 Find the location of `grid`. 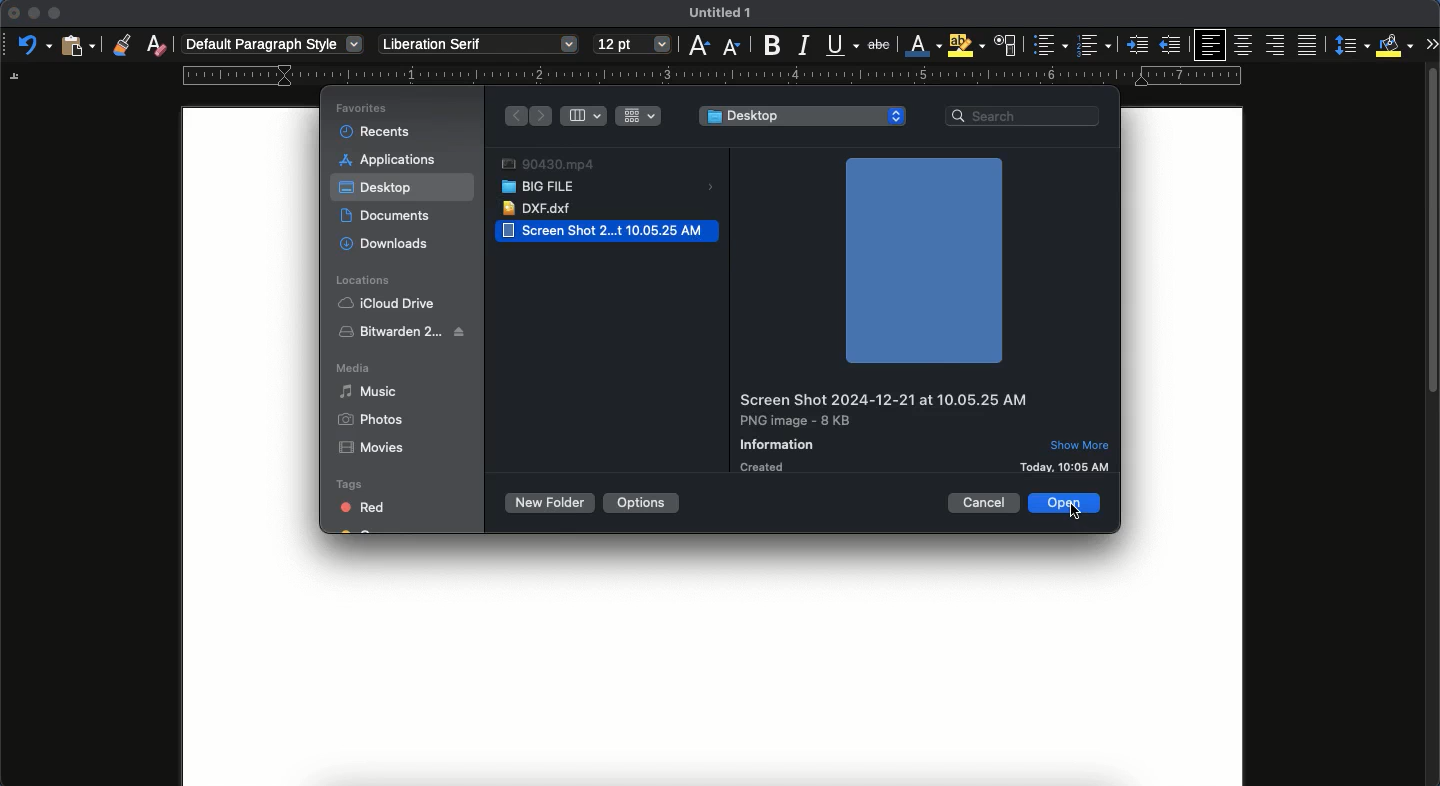

grid is located at coordinates (639, 116).